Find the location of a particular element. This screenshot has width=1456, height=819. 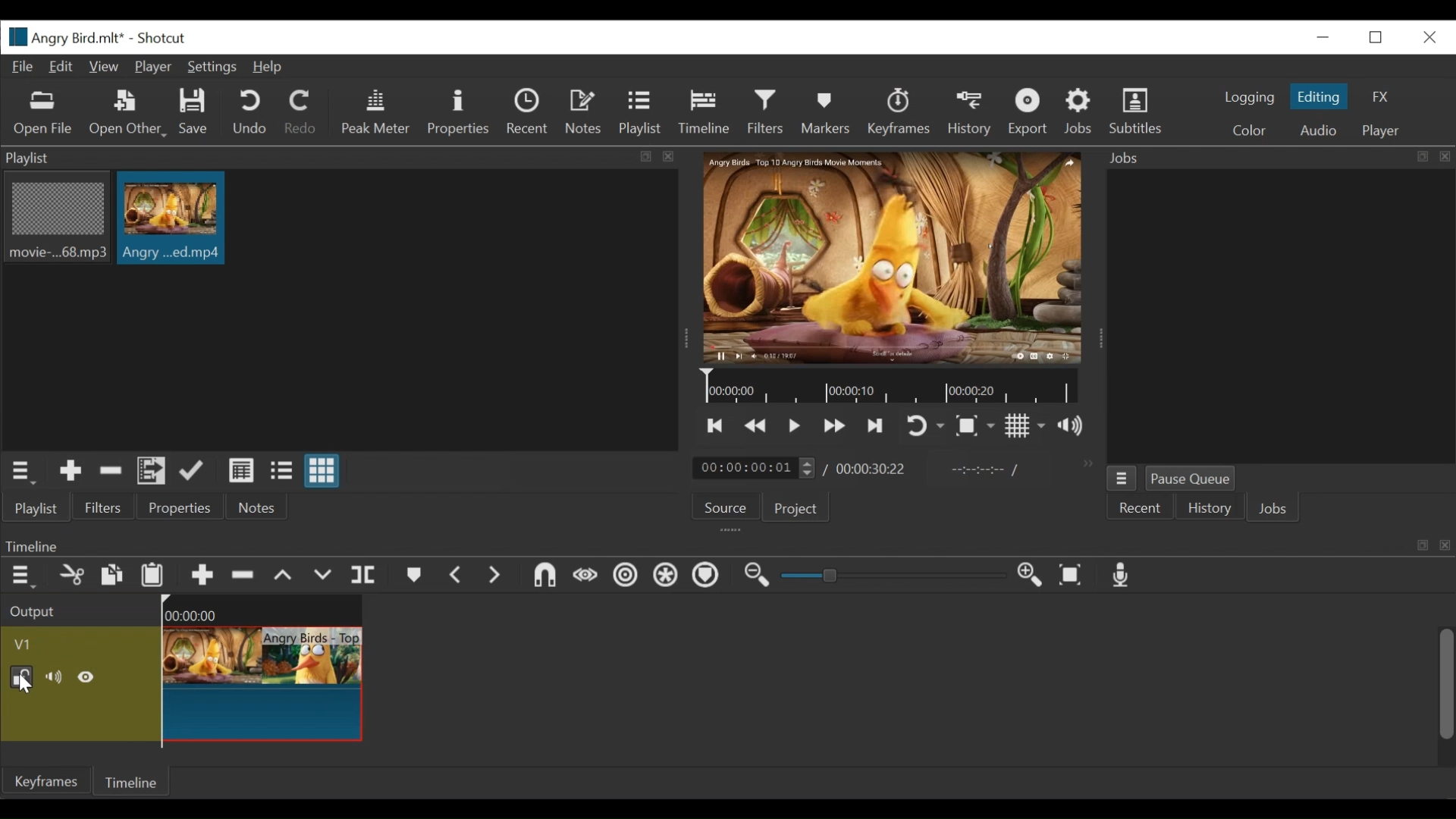

Media Viewer is located at coordinates (888, 259).